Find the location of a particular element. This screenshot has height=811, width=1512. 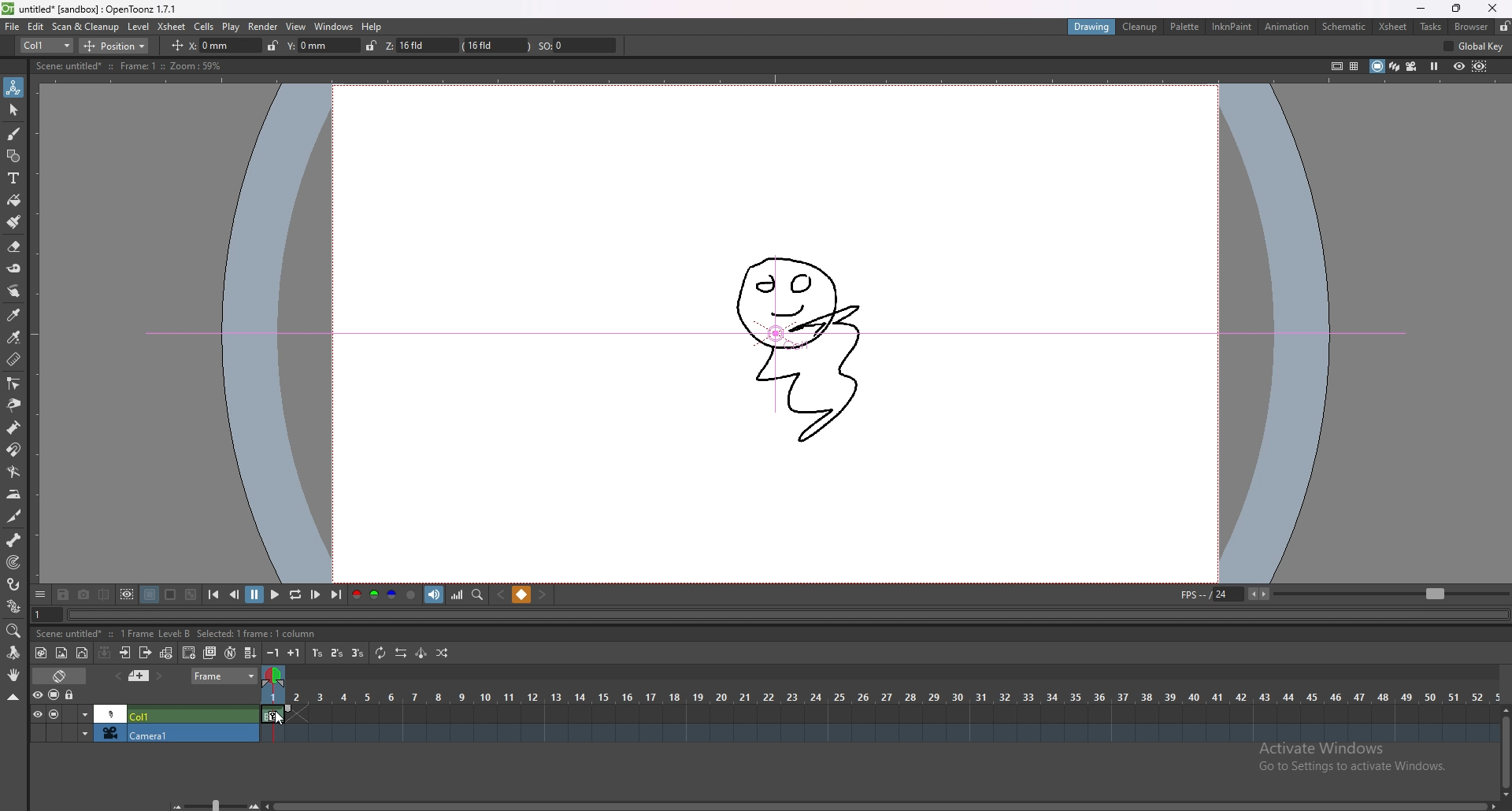

schematic is located at coordinates (1344, 26).